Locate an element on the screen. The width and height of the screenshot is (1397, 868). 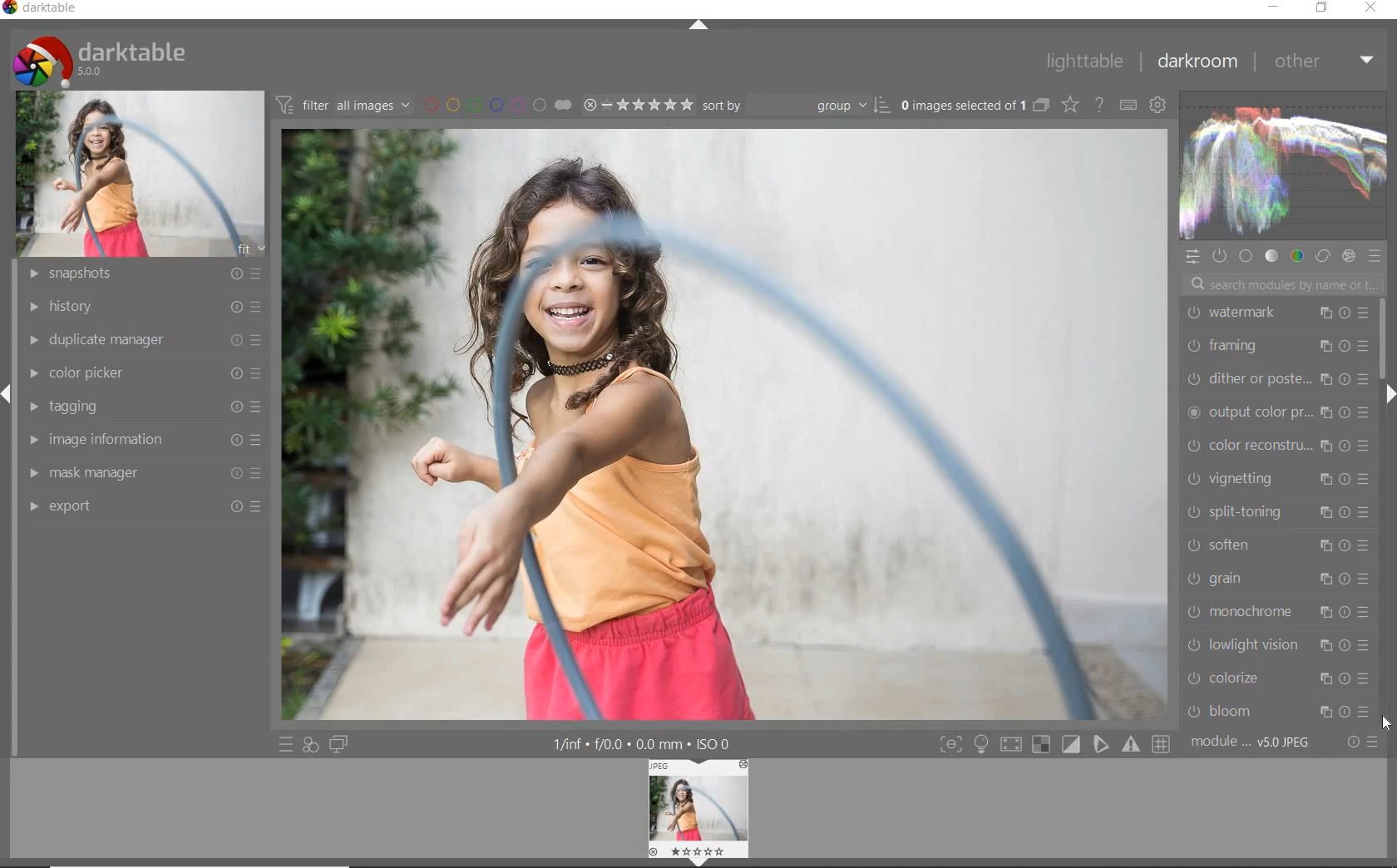
quick access to preset is located at coordinates (286, 743).